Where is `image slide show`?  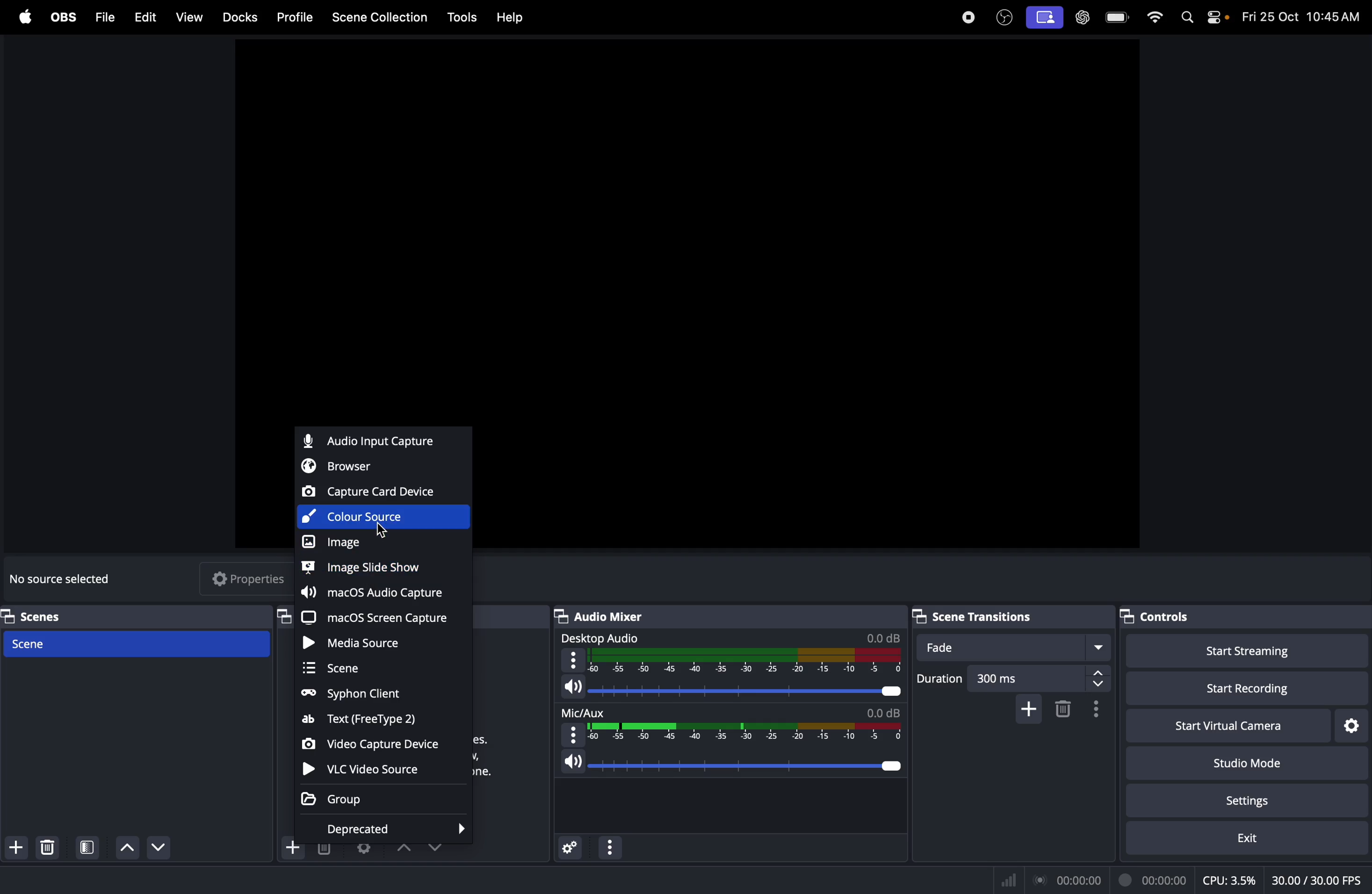
image slide show is located at coordinates (374, 569).